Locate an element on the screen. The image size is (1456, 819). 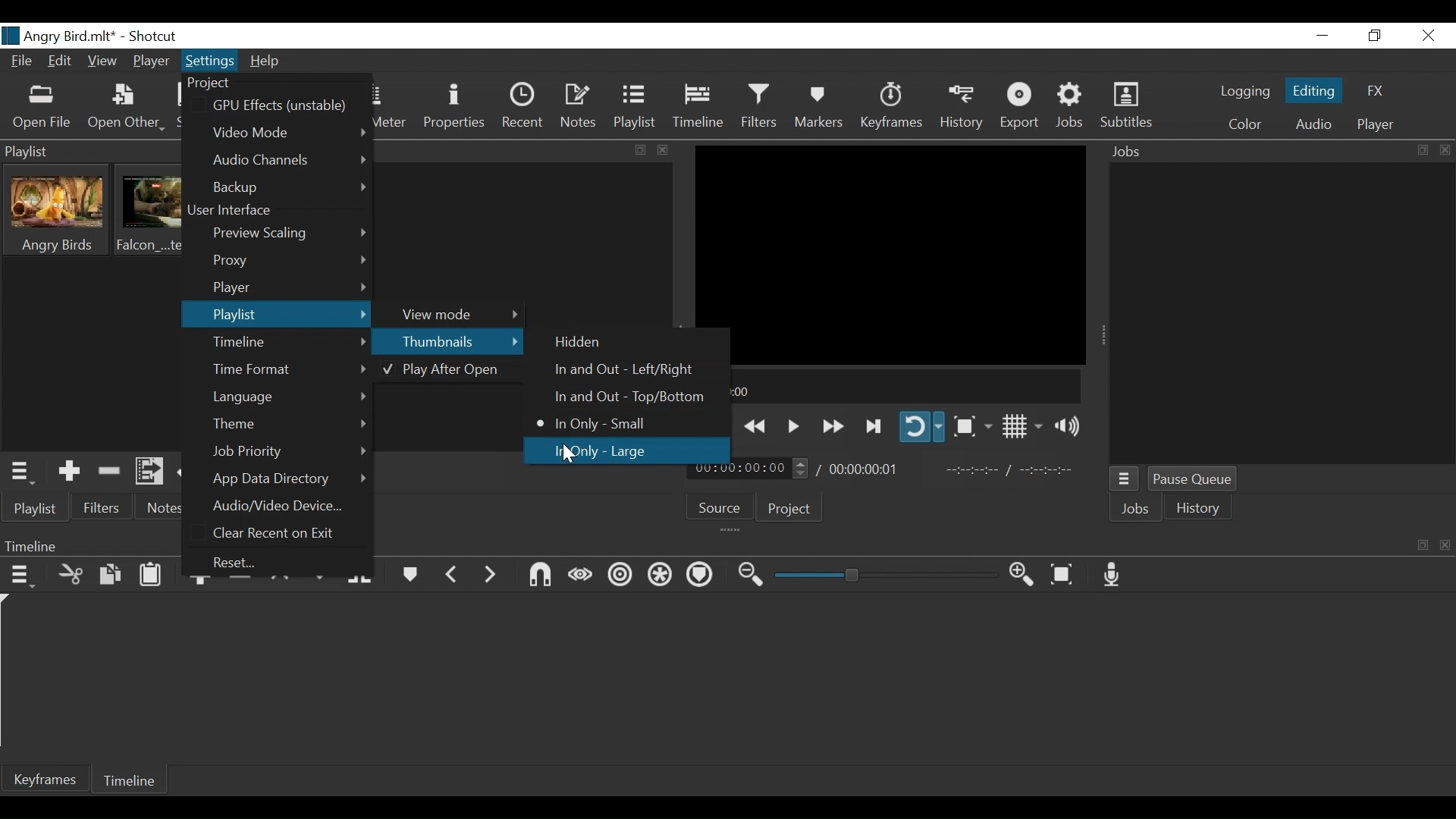
Theme is located at coordinates (288, 425).